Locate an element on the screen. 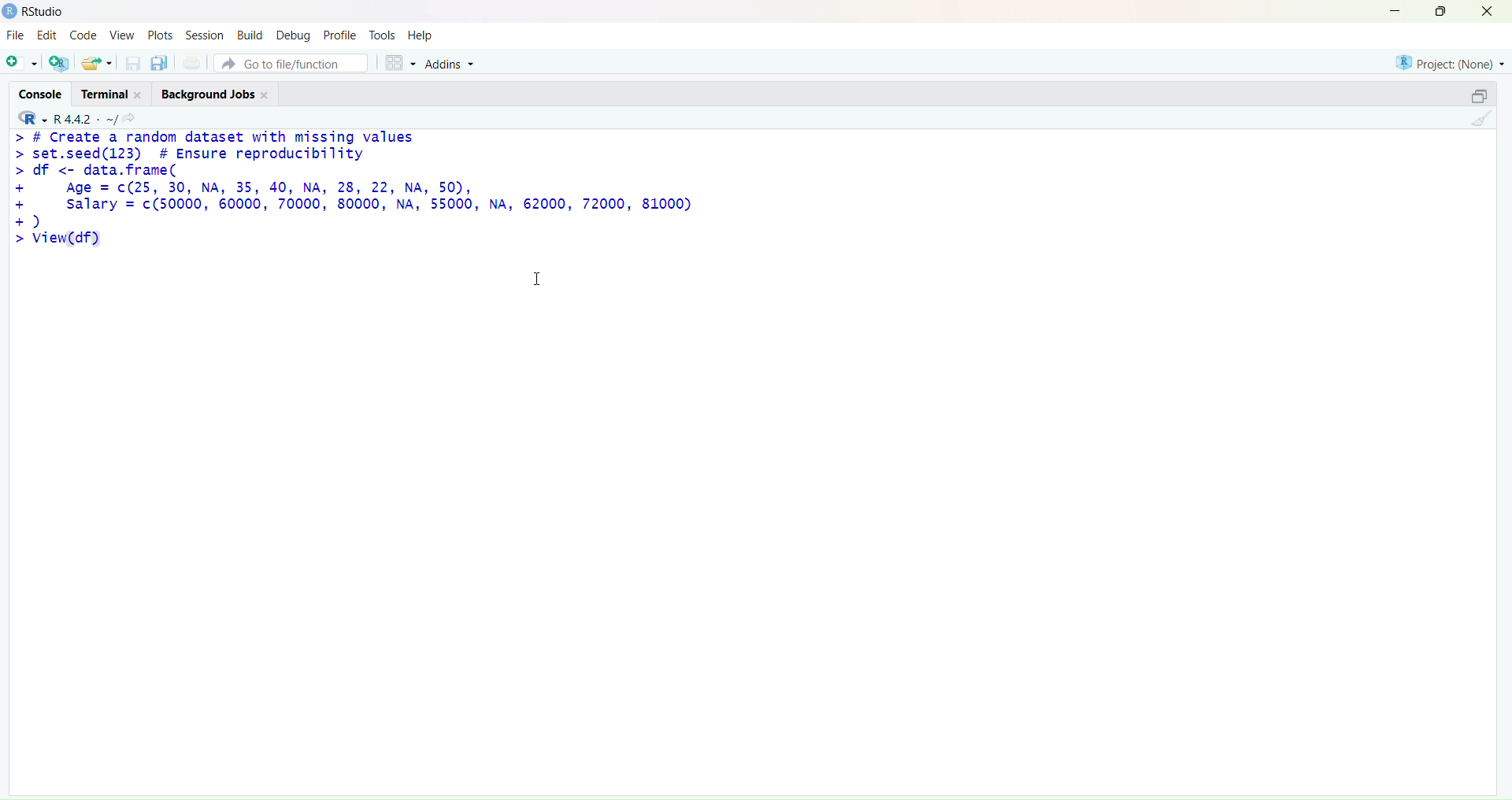 The width and height of the screenshot is (1512, 800). help is located at coordinates (421, 35).